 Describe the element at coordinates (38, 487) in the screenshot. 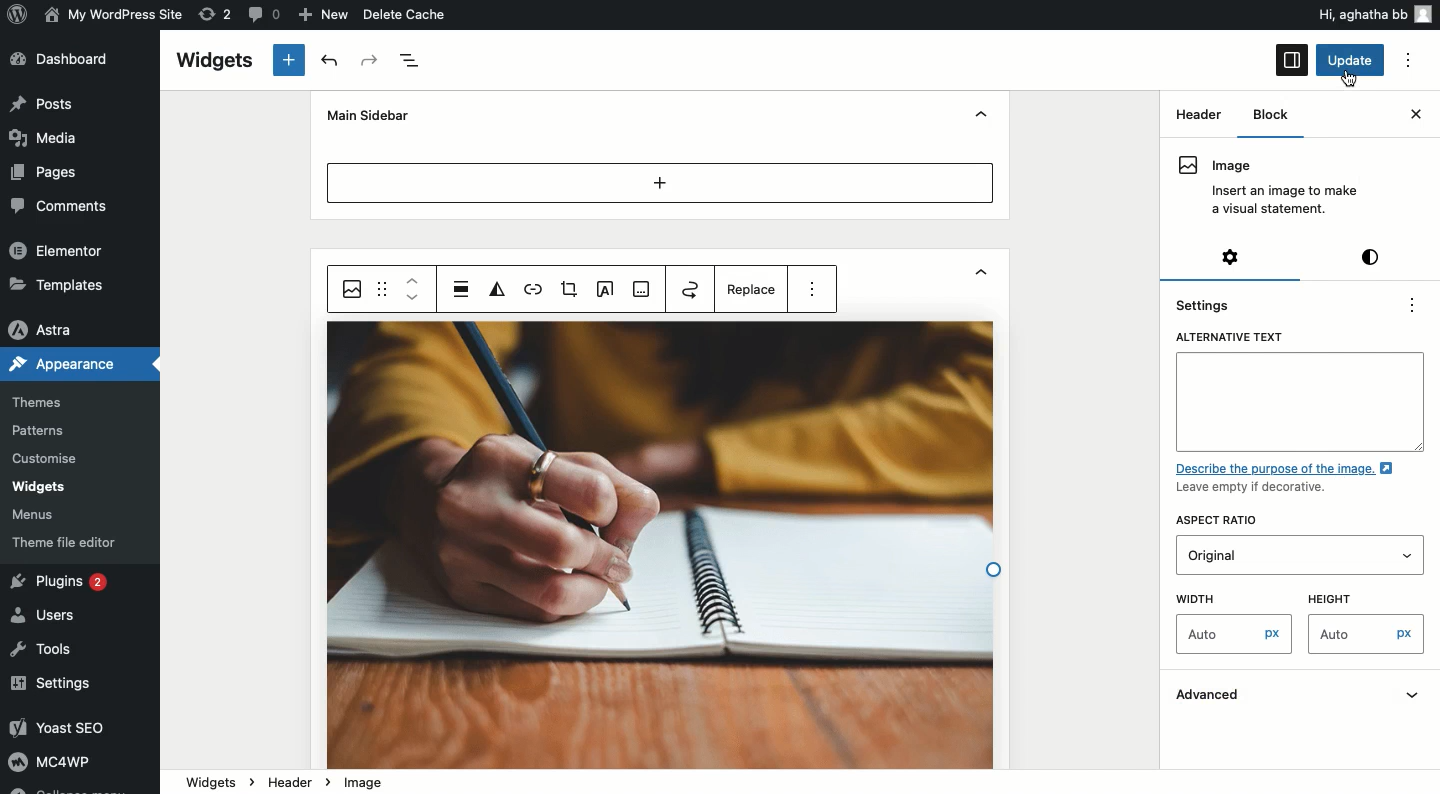

I see `Widgets` at that location.